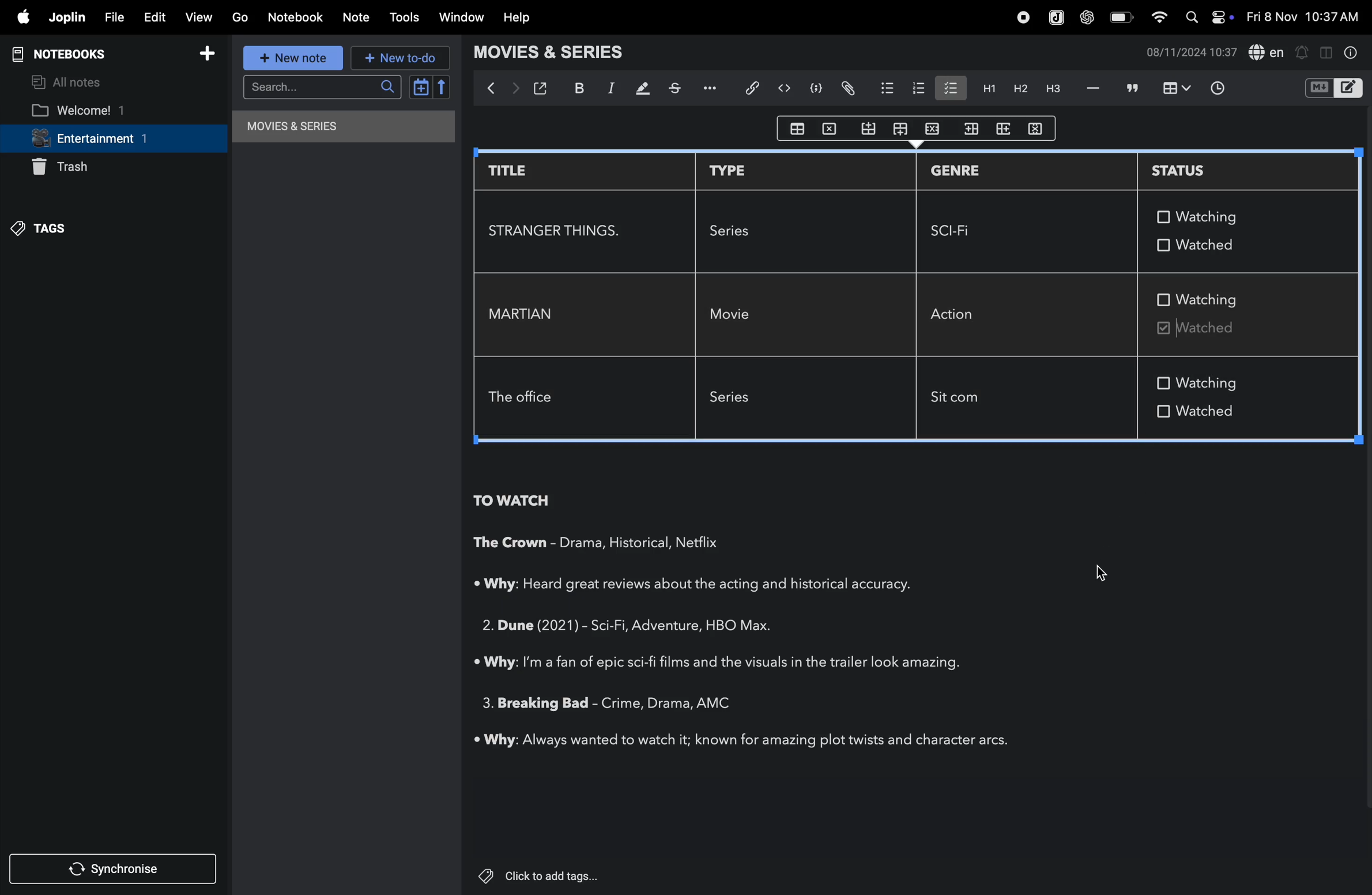 Image resolution: width=1372 pixels, height=895 pixels. I want to click on insert link, so click(753, 88).